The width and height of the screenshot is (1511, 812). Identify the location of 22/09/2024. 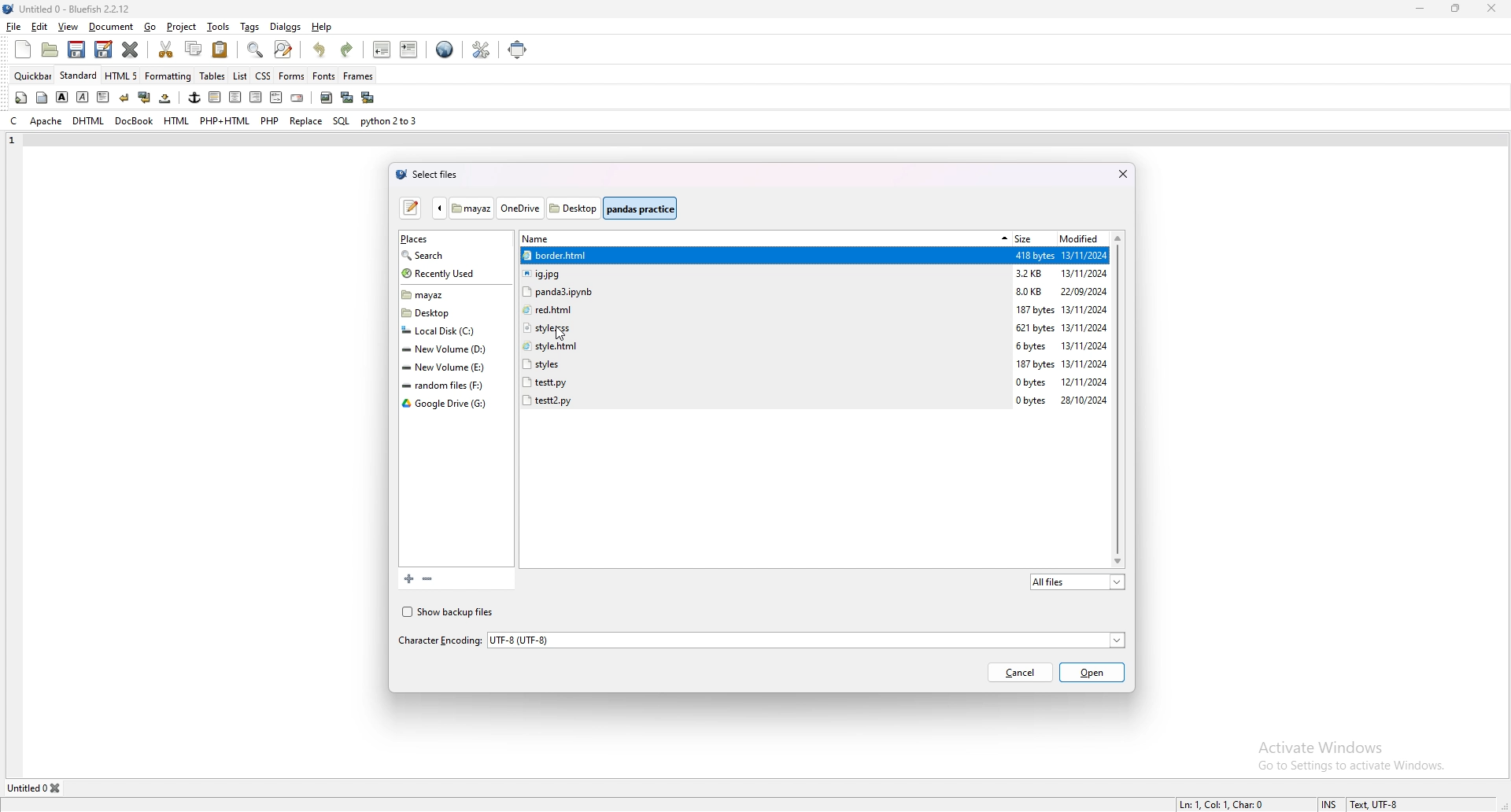
(1084, 293).